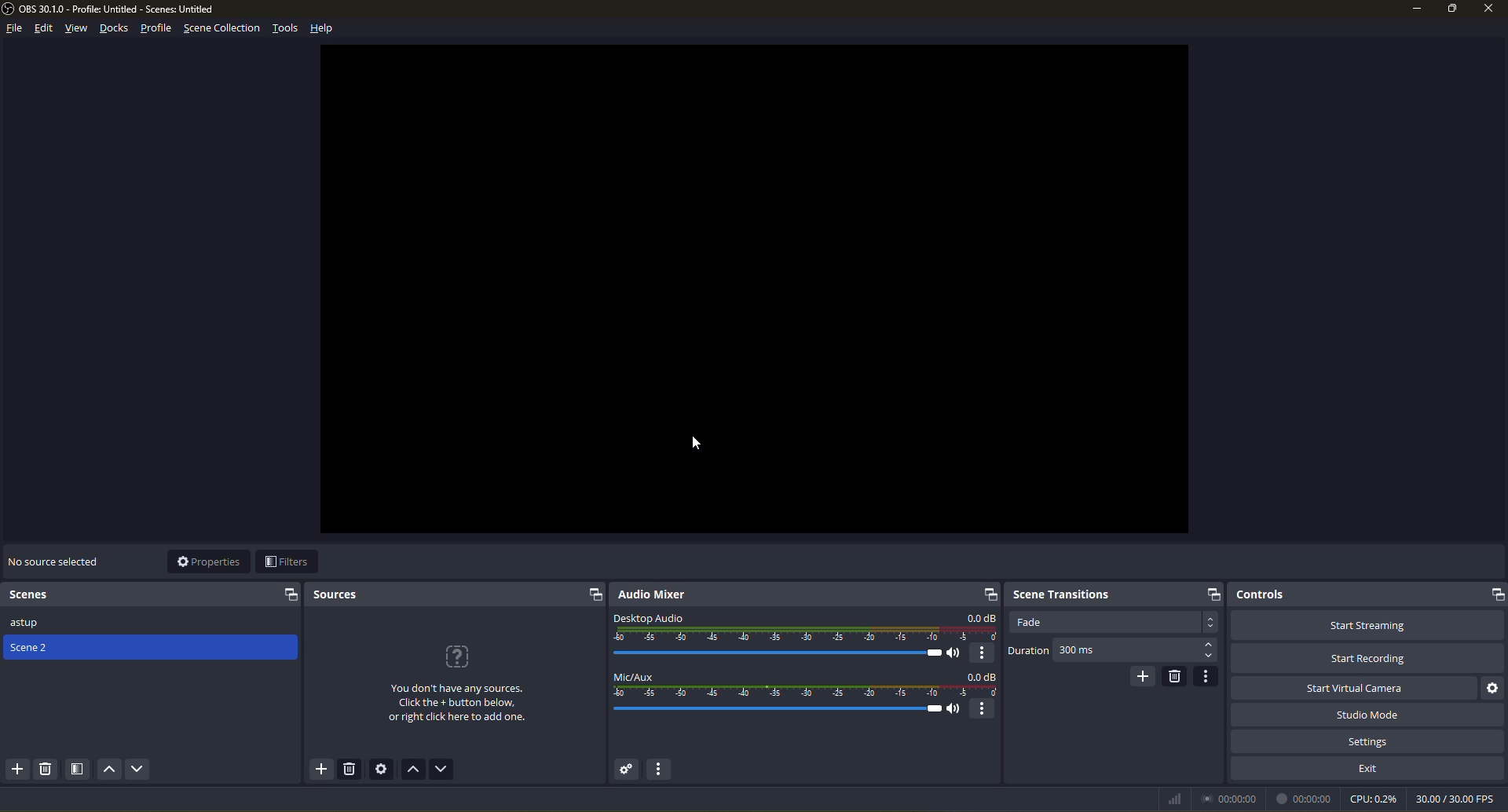 This screenshot has height=812, width=1508. What do you see at coordinates (112, 9) in the screenshot?
I see `obs profile` at bounding box center [112, 9].